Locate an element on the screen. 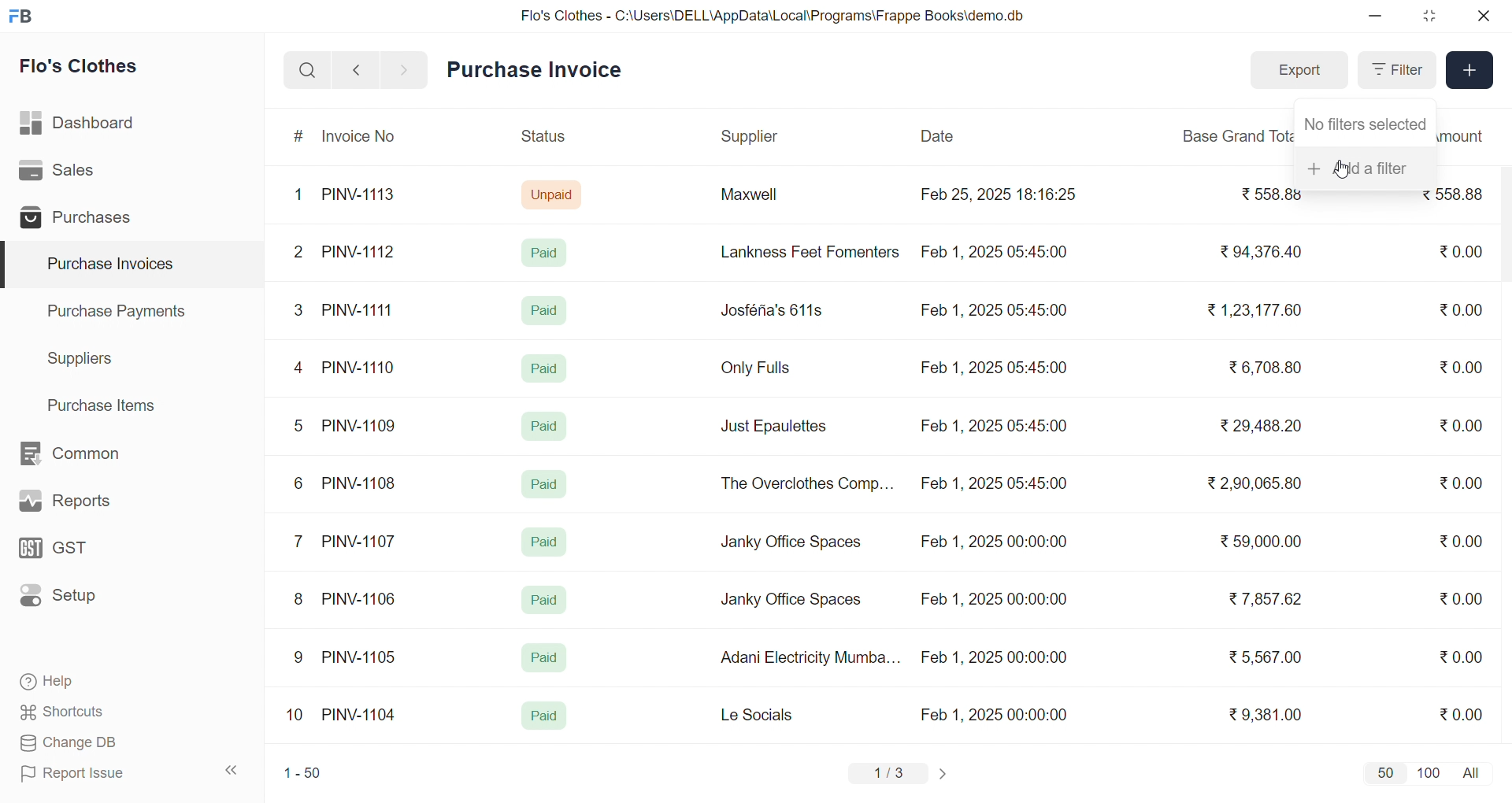 This screenshot has width=1512, height=803. Filter is located at coordinates (1395, 70).